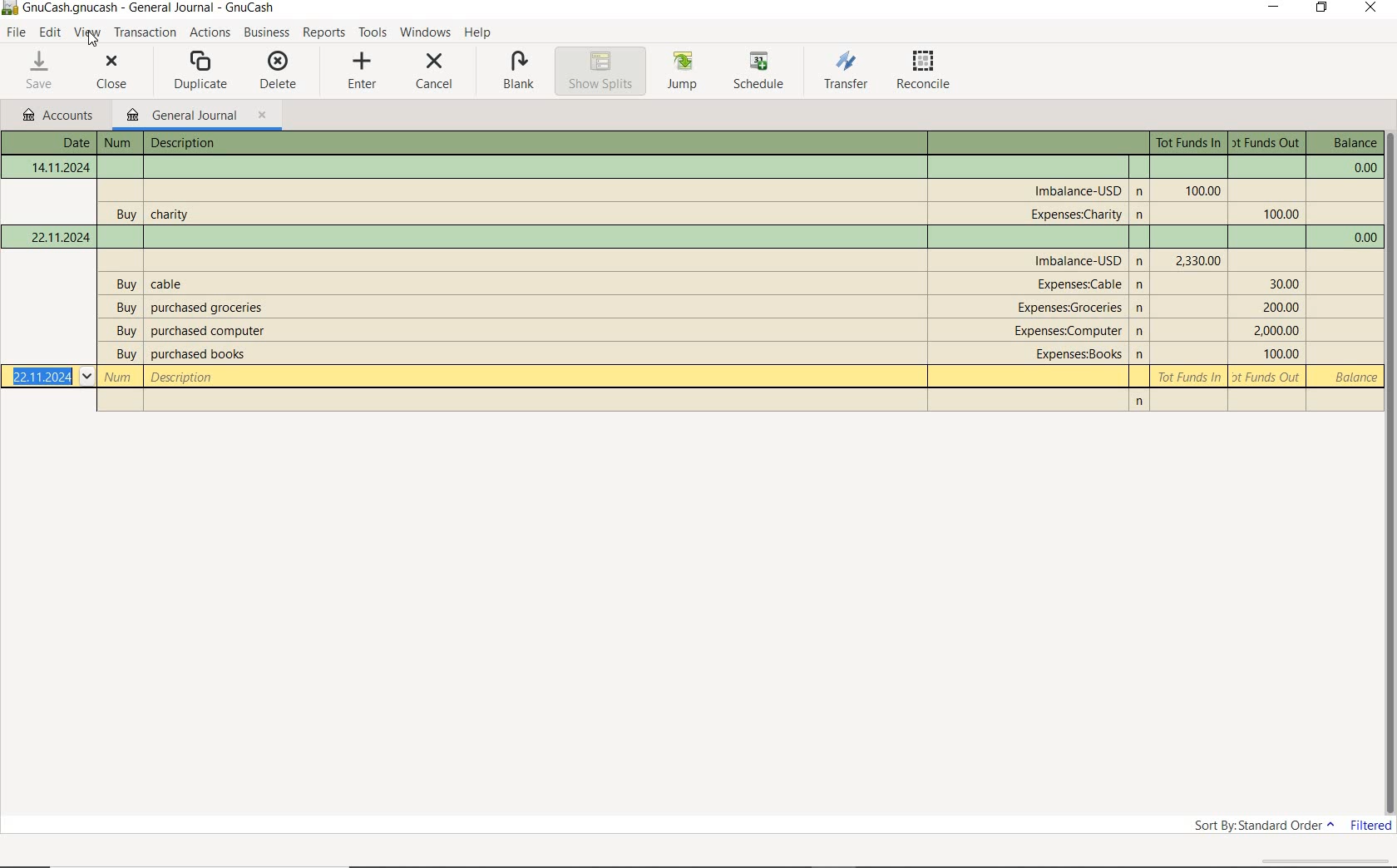 This screenshot has width=1397, height=868. I want to click on Tot Funds In, so click(1197, 260).